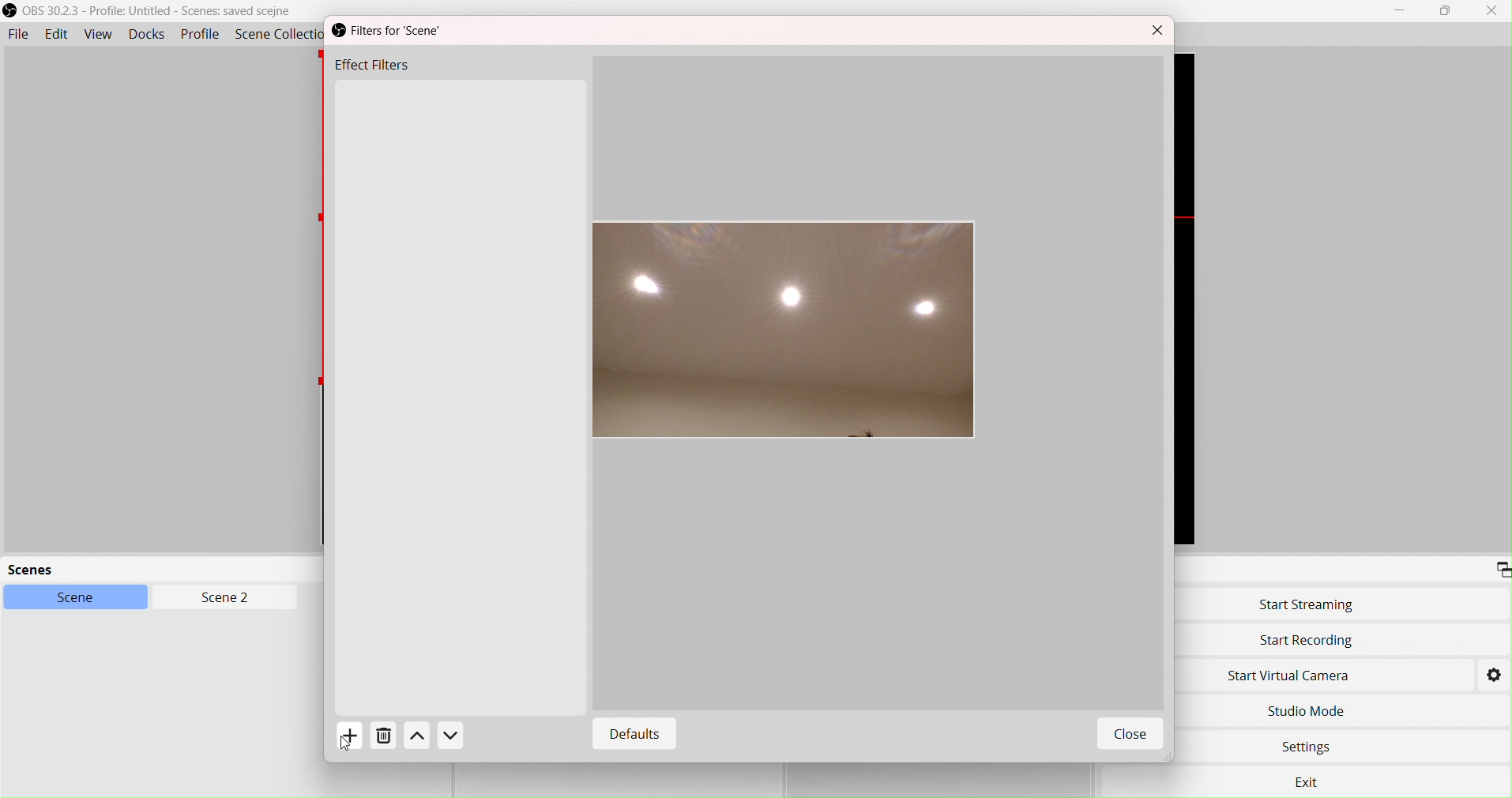  Describe the element at coordinates (126, 570) in the screenshot. I see `scenes` at that location.